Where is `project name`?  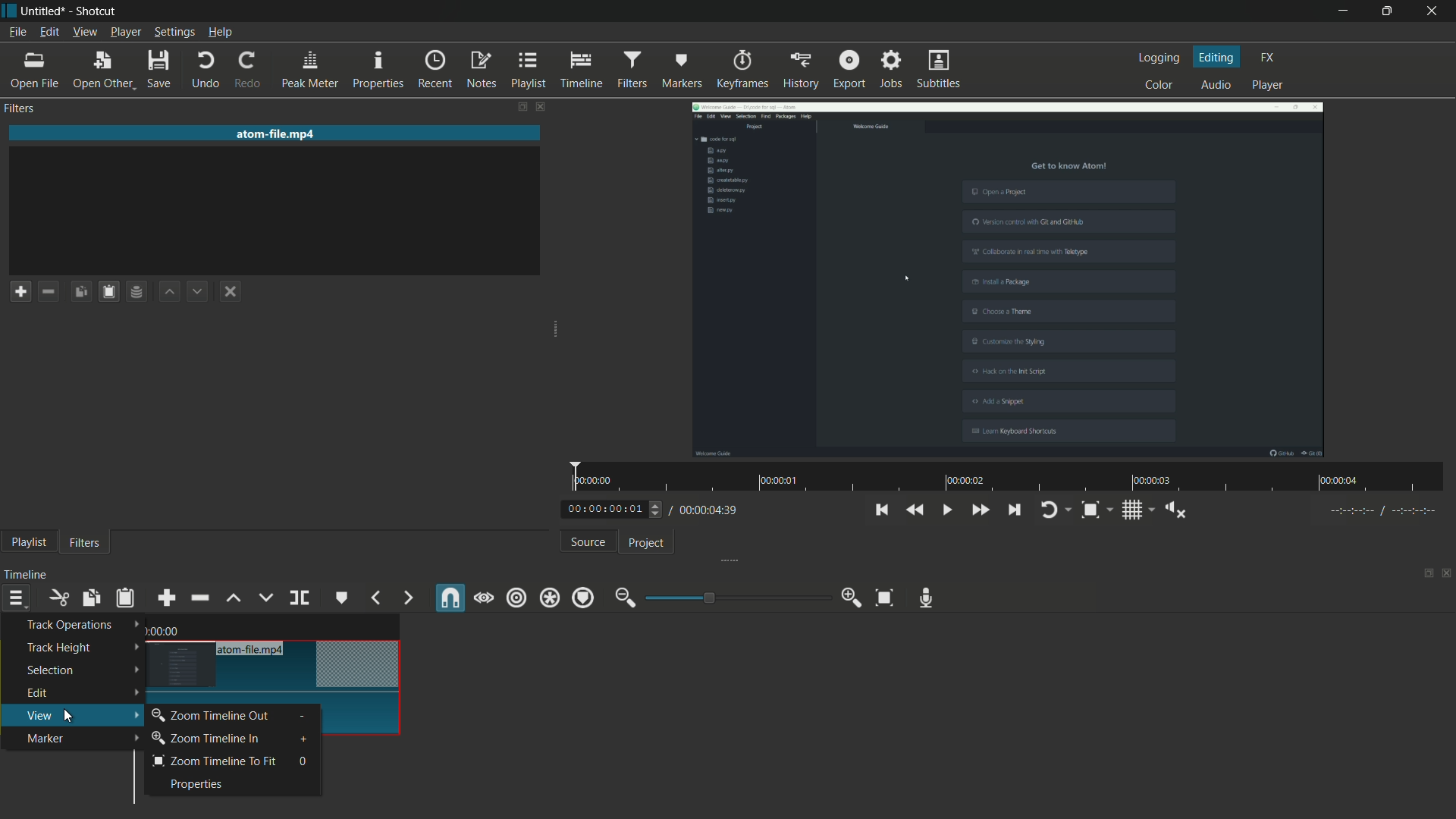
project name is located at coordinates (44, 11).